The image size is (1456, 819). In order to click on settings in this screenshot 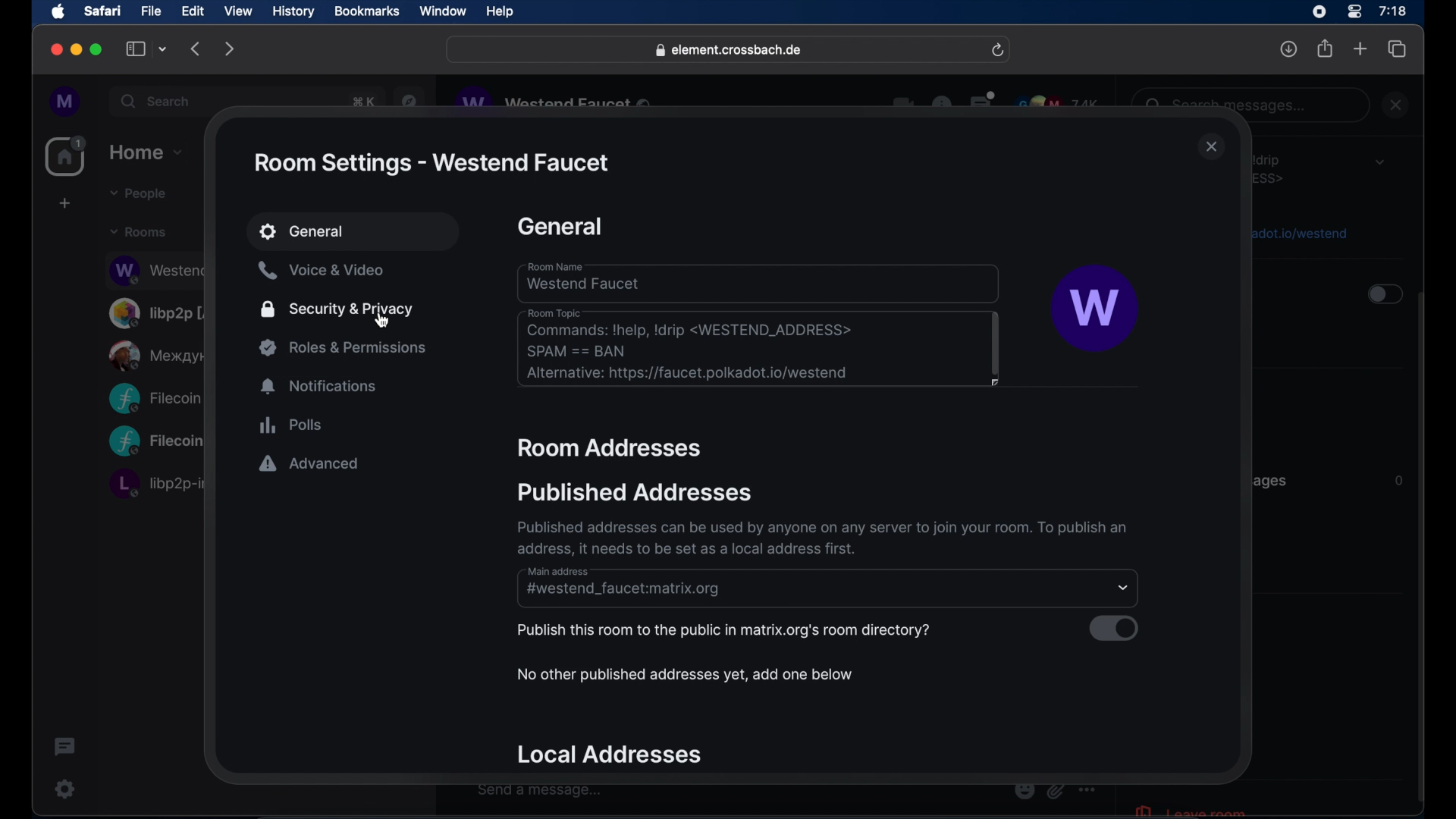, I will do `click(66, 789)`.